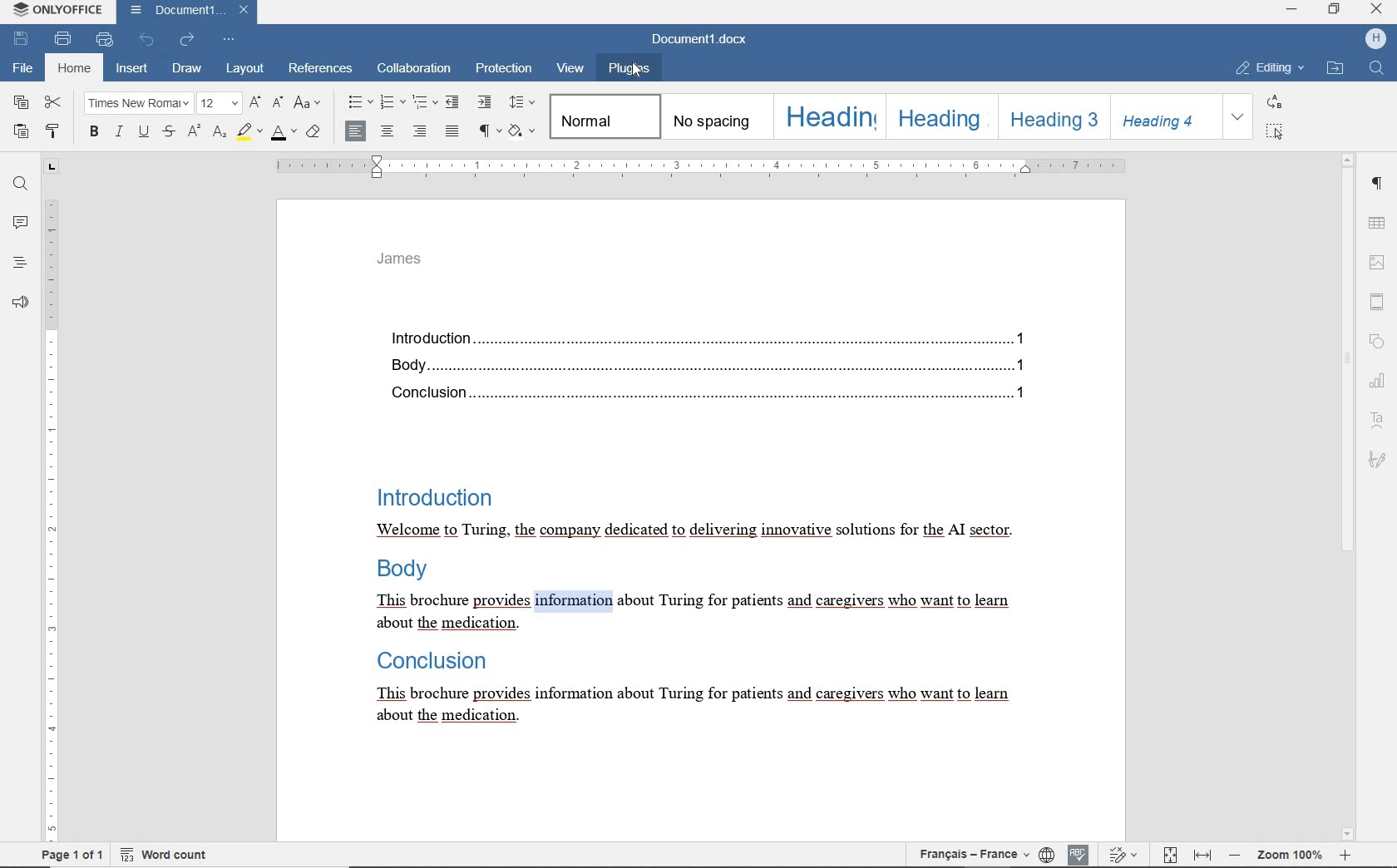 The image size is (1397, 868). What do you see at coordinates (140, 104) in the screenshot?
I see `FONT` at bounding box center [140, 104].